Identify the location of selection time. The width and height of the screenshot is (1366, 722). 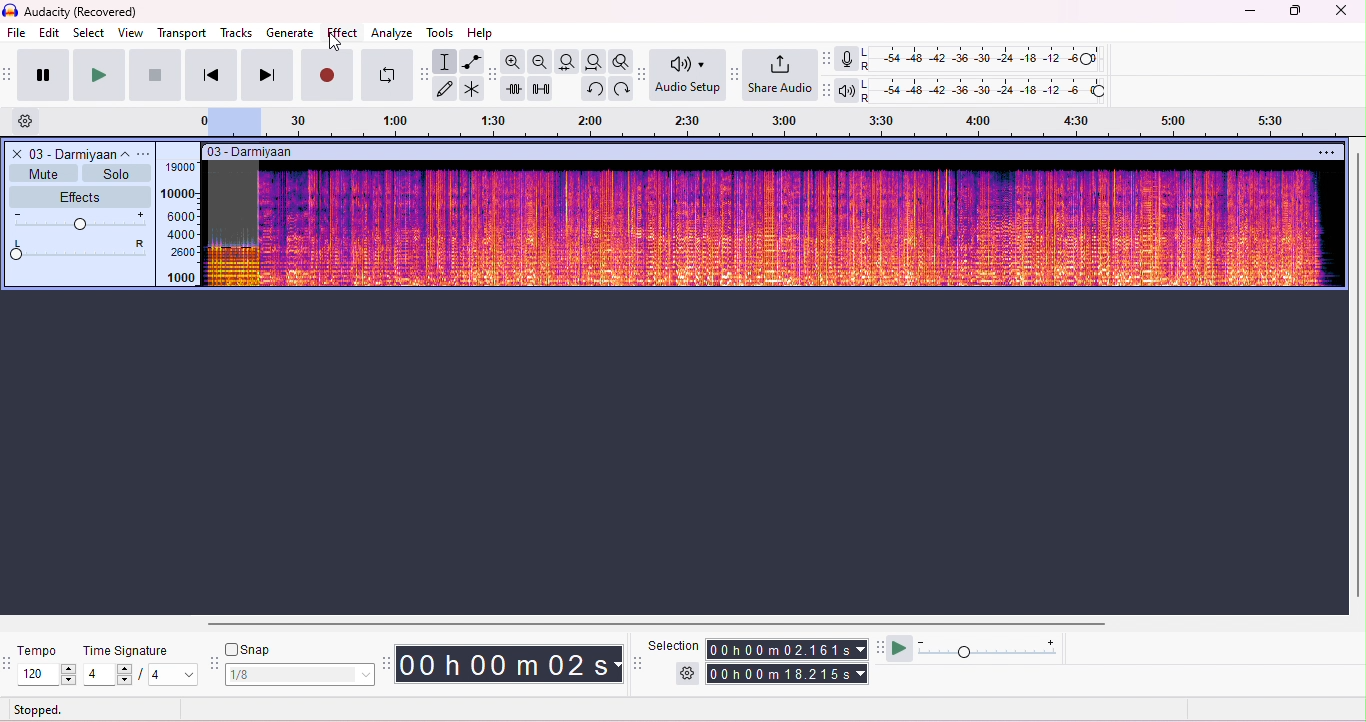
(789, 649).